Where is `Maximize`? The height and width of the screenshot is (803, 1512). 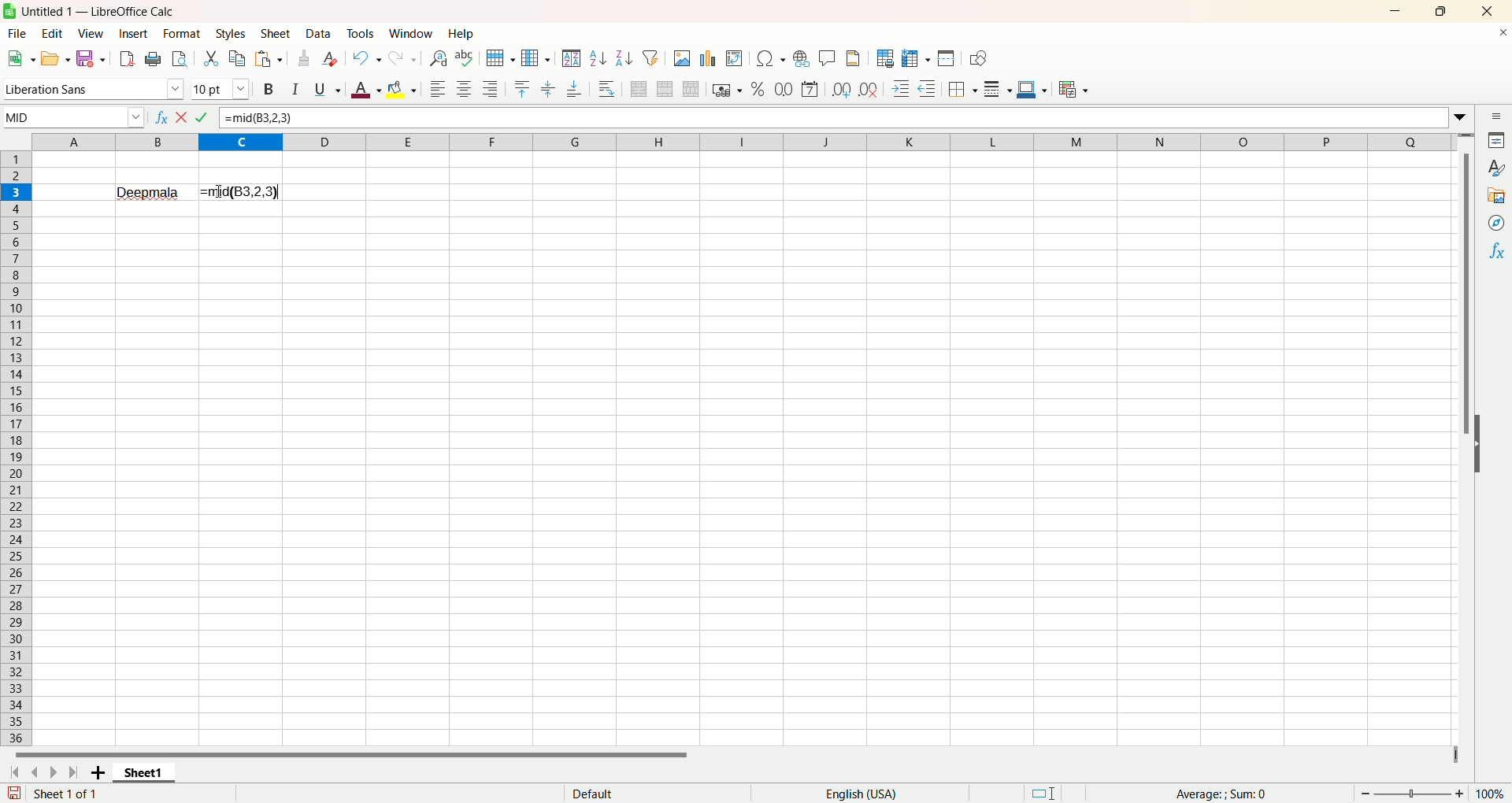 Maximize is located at coordinates (1445, 9).